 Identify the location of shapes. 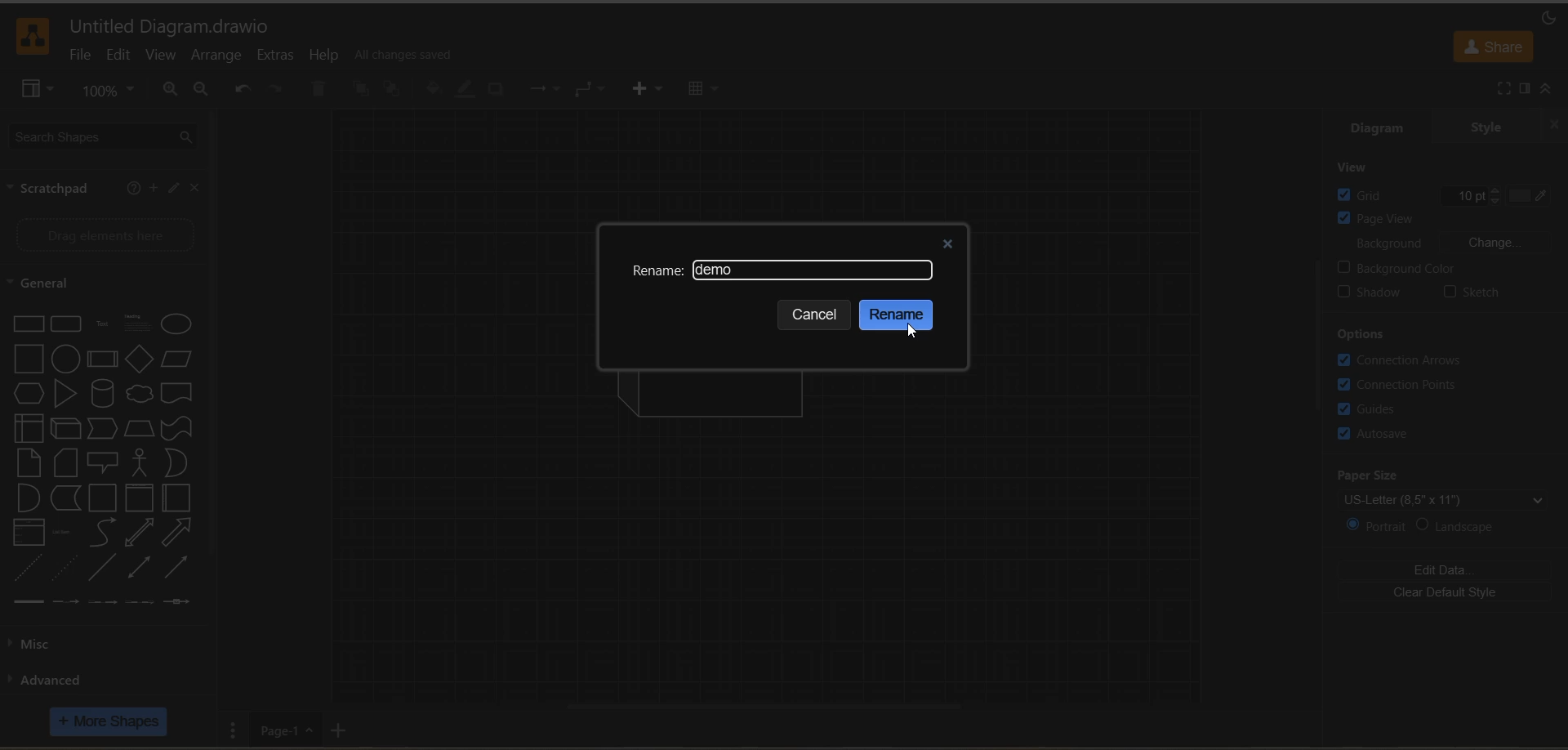
(101, 460).